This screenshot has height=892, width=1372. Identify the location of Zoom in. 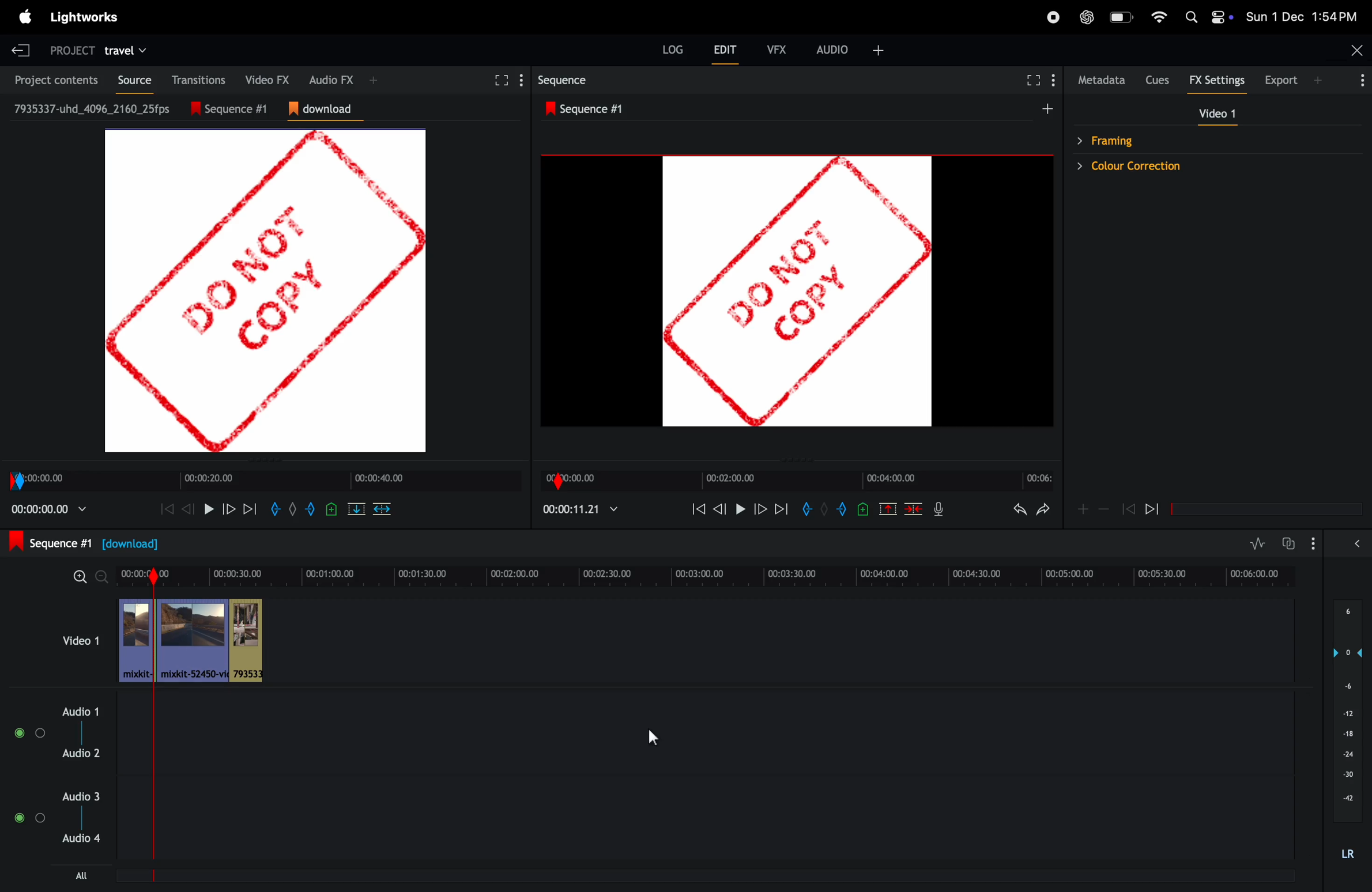
(80, 577).